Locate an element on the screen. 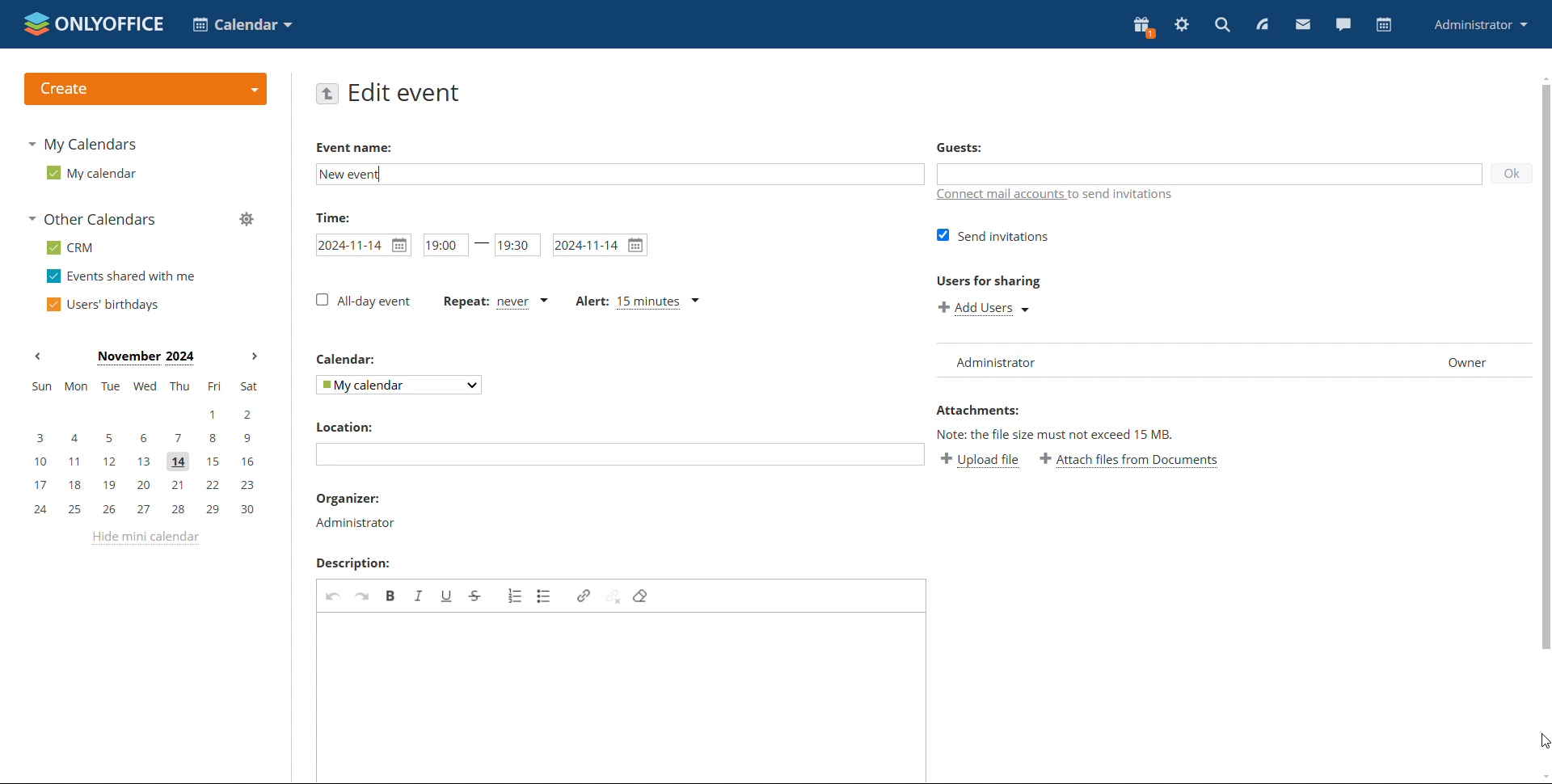 The image size is (1552, 784). event repetition is located at coordinates (494, 302).